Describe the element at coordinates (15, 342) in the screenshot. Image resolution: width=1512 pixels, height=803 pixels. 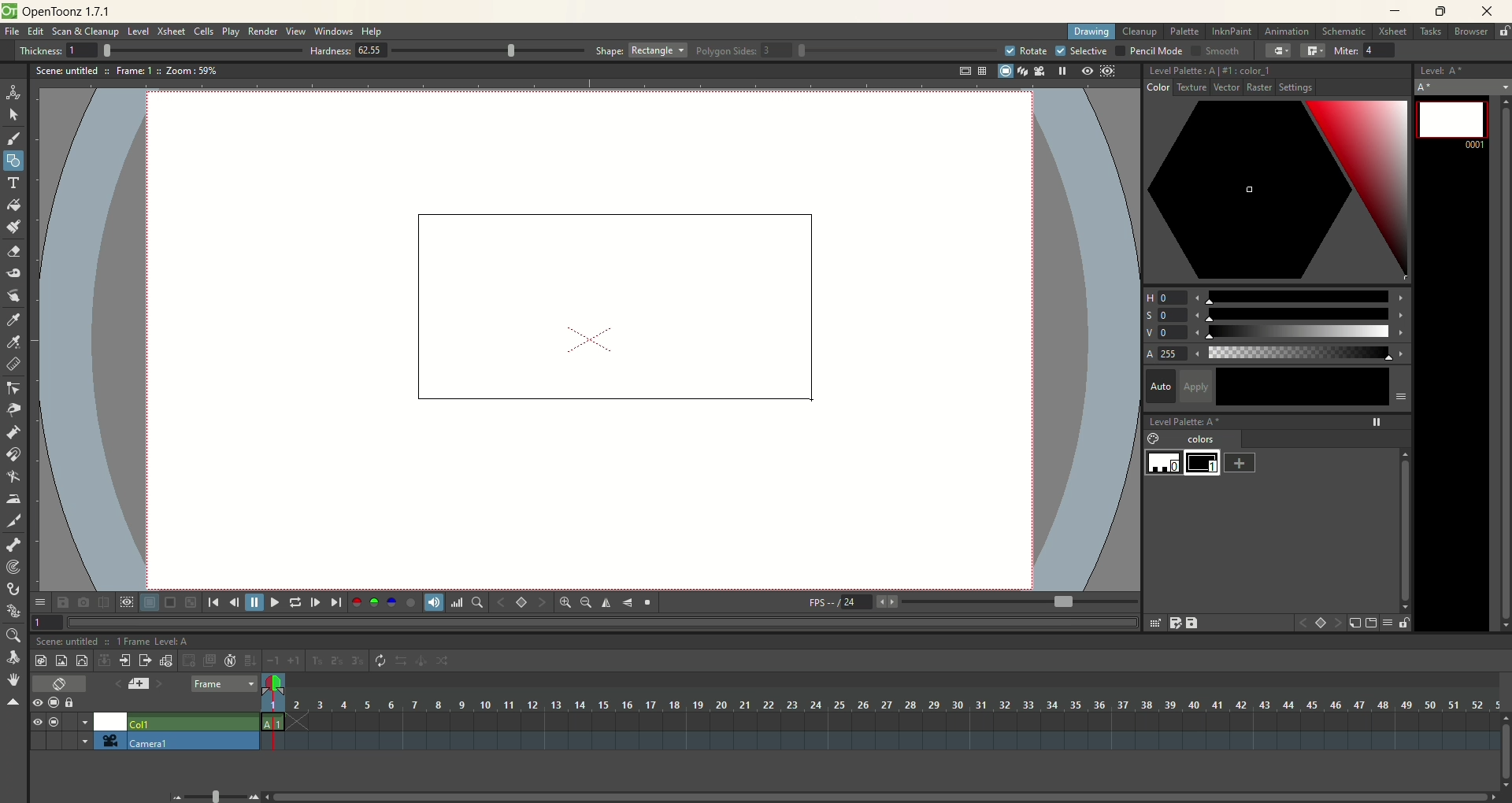
I see `RGB picker` at that location.